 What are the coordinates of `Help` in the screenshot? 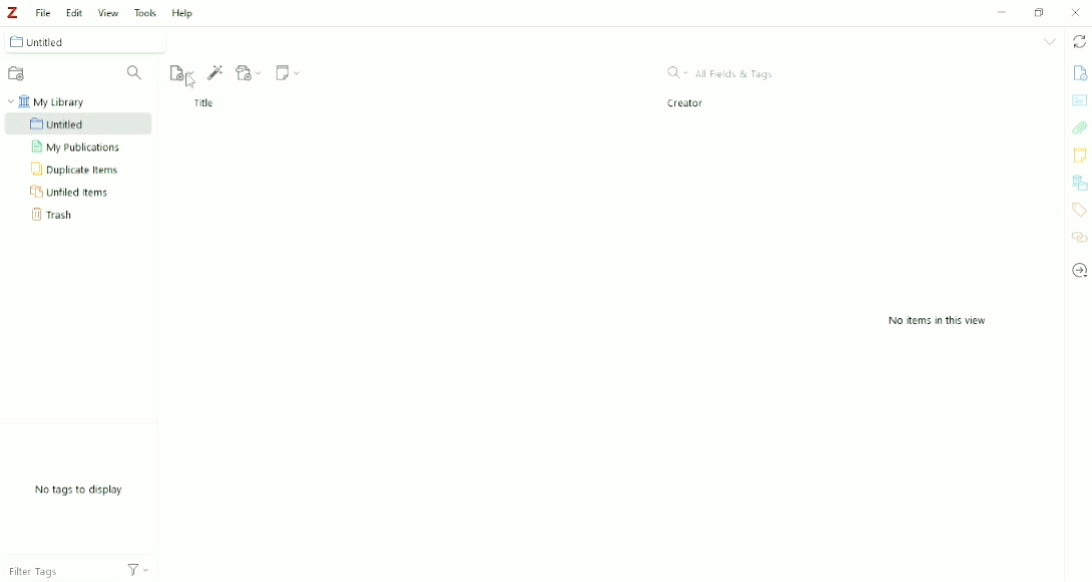 It's located at (183, 13).